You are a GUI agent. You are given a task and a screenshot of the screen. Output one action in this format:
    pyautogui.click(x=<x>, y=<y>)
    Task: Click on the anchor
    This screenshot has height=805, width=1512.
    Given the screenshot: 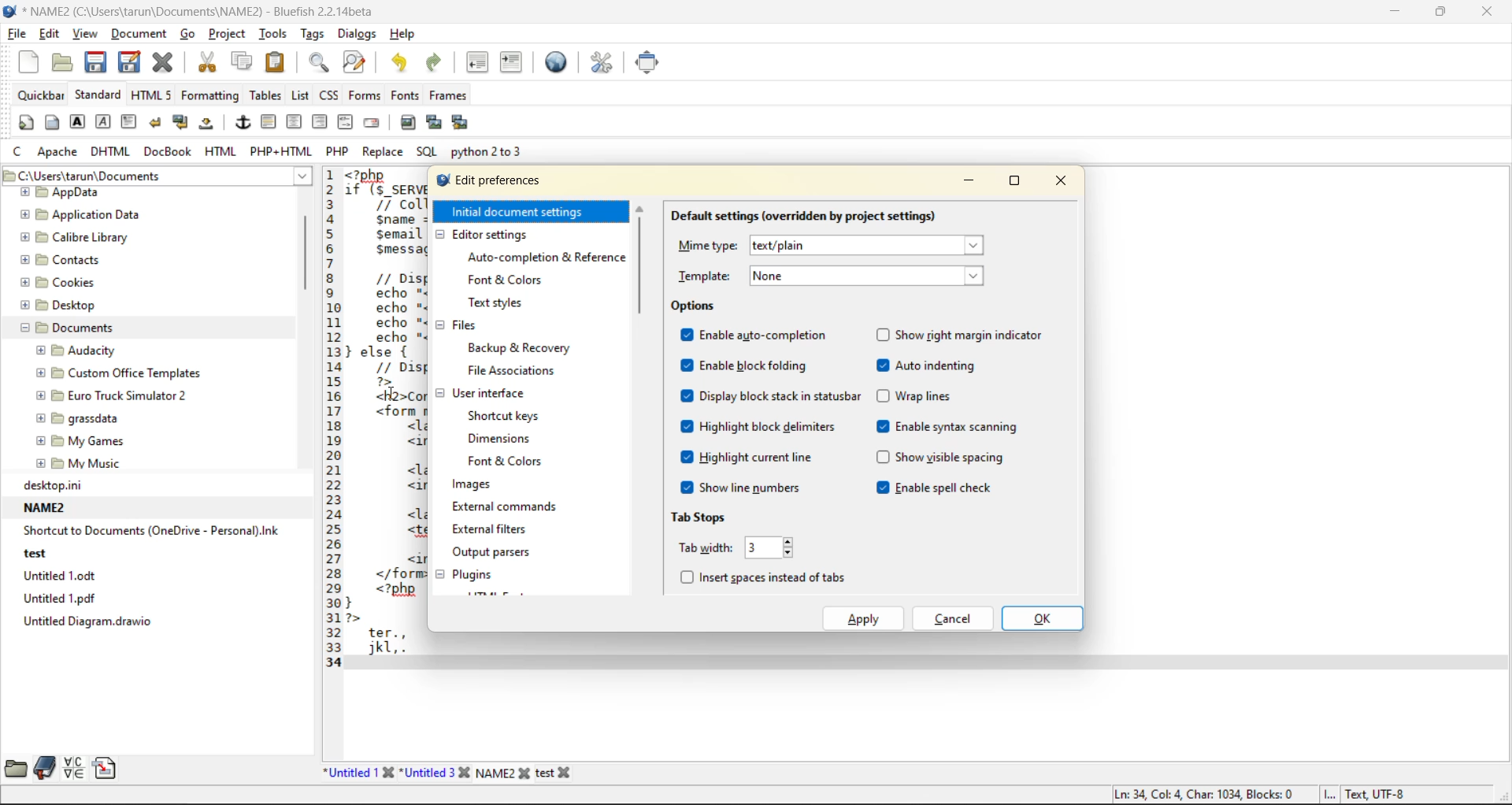 What is the action you would take?
    pyautogui.click(x=243, y=121)
    